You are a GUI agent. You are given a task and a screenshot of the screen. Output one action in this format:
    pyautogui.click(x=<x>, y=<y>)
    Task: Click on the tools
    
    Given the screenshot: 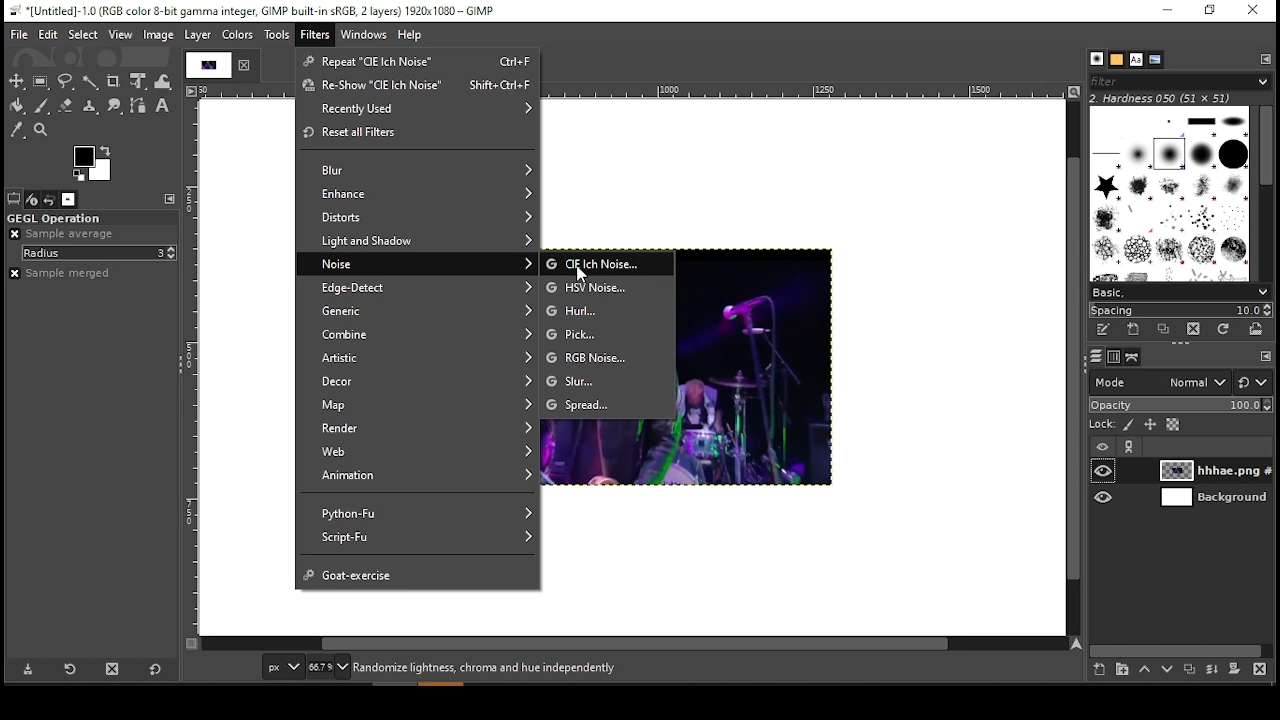 What is the action you would take?
    pyautogui.click(x=277, y=37)
    